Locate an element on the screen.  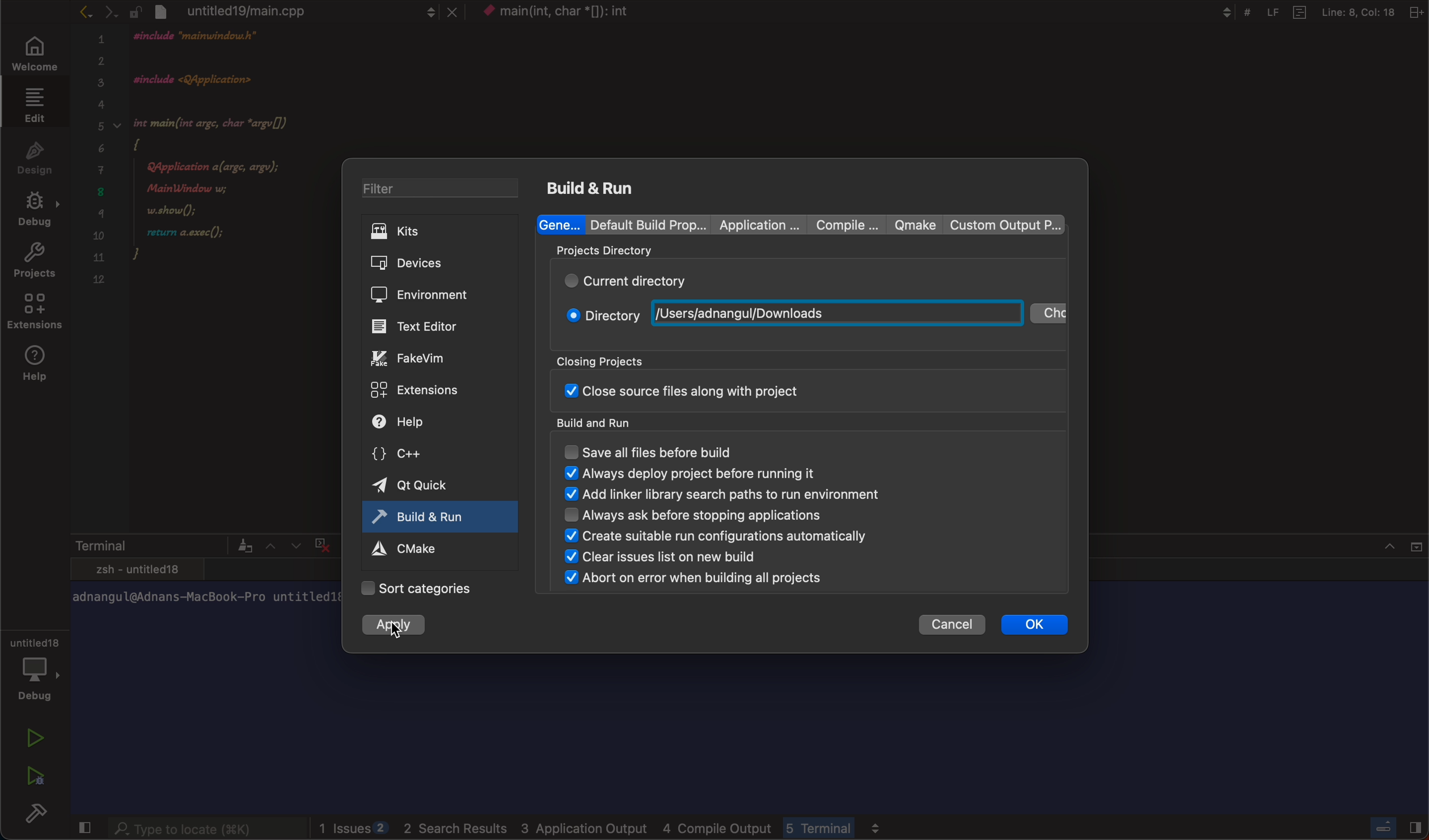
logs is located at coordinates (605, 824).